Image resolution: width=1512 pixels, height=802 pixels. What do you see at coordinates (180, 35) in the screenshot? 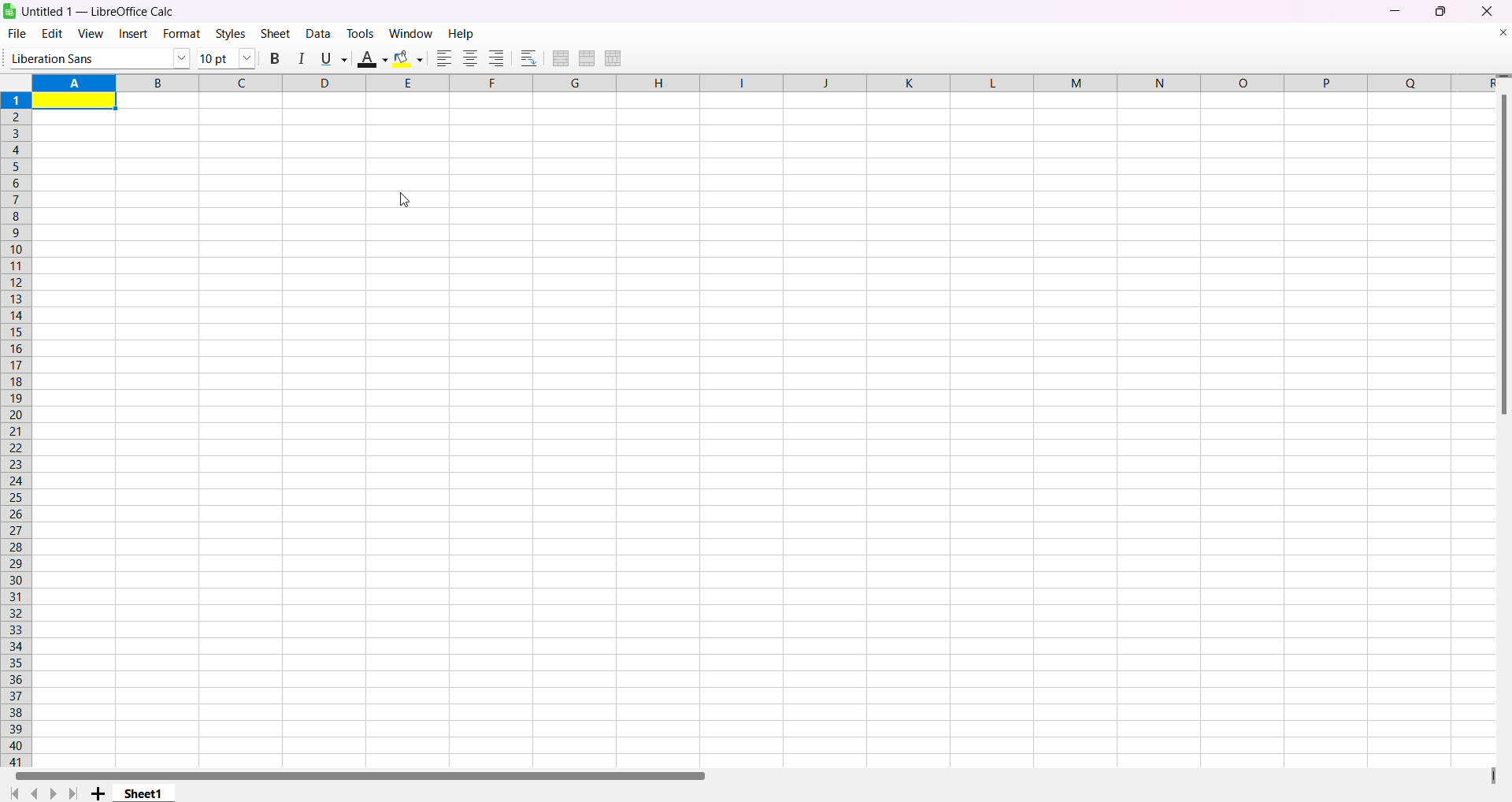
I see `format` at bounding box center [180, 35].